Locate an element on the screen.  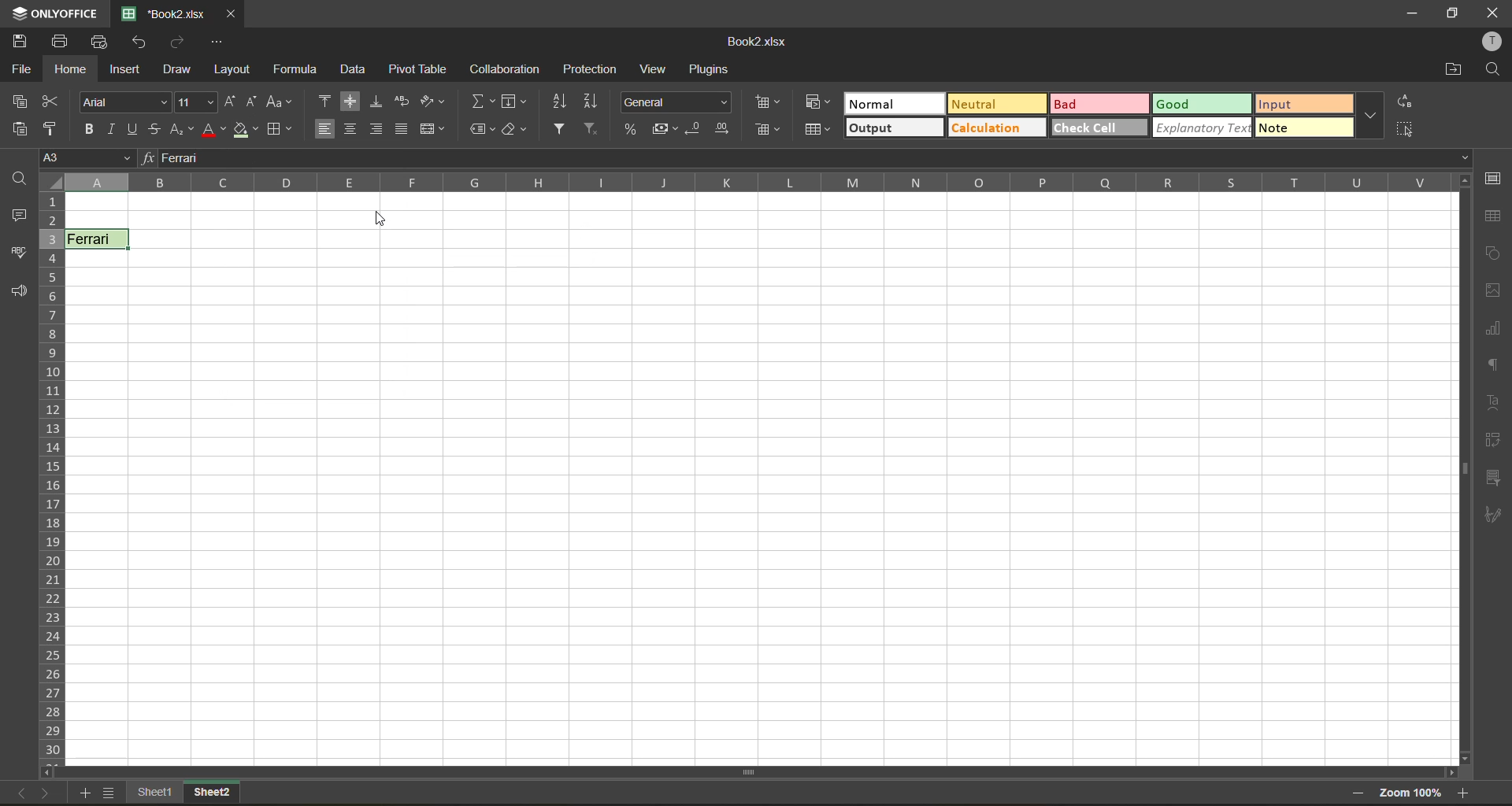
plugins is located at coordinates (711, 72).